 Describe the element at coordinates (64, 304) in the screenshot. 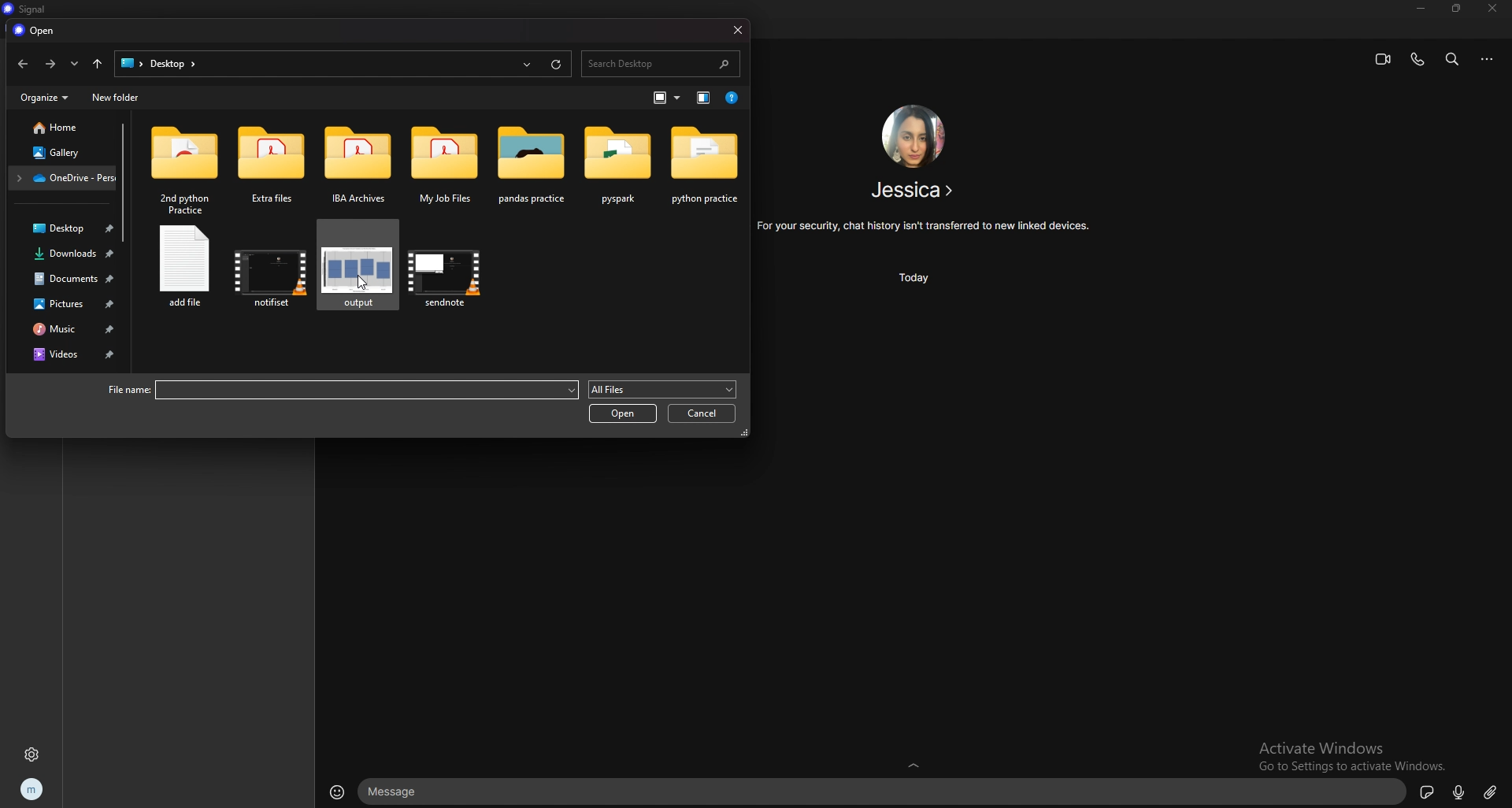

I see `pictures` at that location.